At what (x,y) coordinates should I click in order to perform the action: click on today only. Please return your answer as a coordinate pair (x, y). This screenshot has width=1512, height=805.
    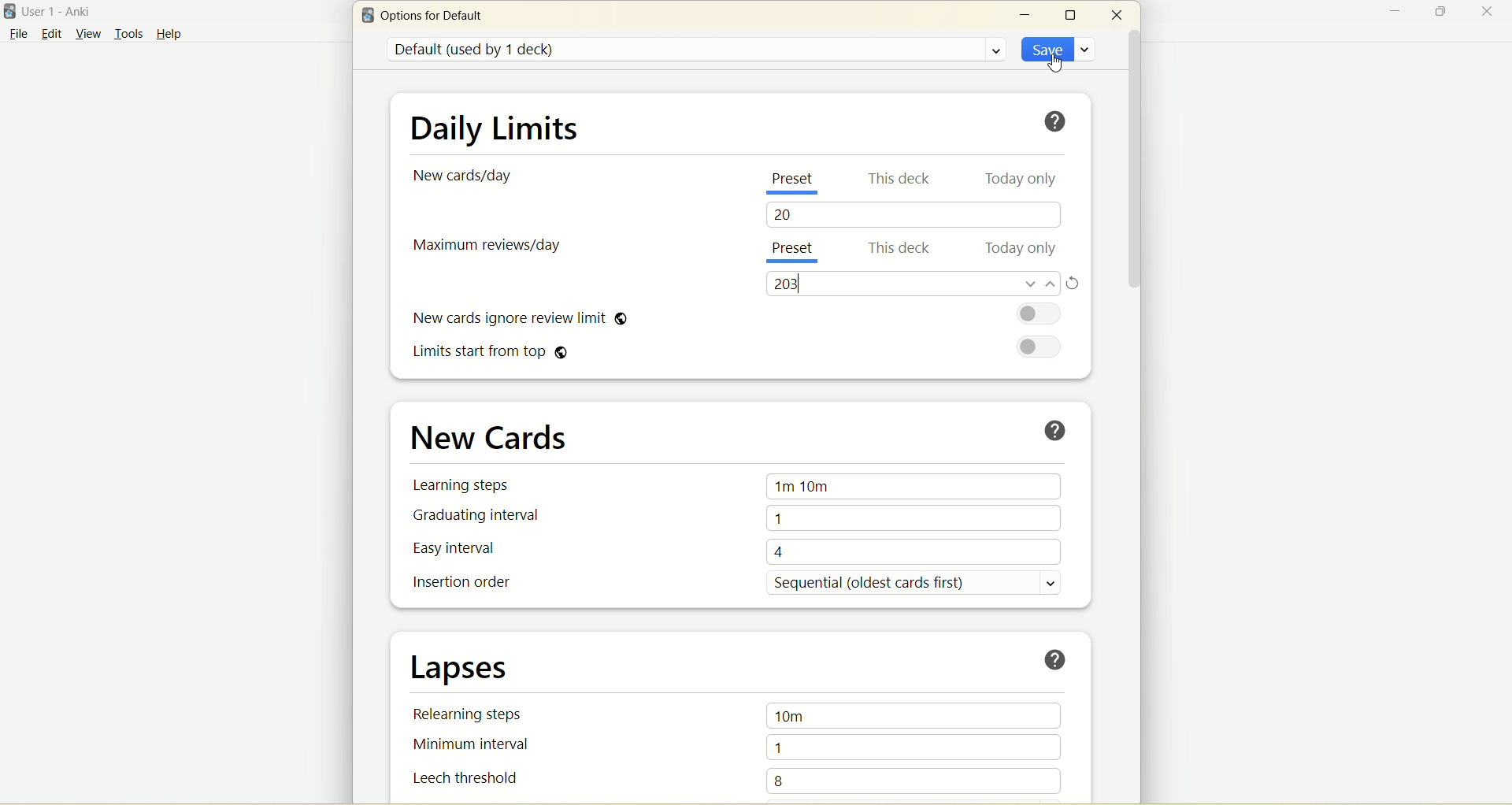
    Looking at the image, I should click on (1018, 250).